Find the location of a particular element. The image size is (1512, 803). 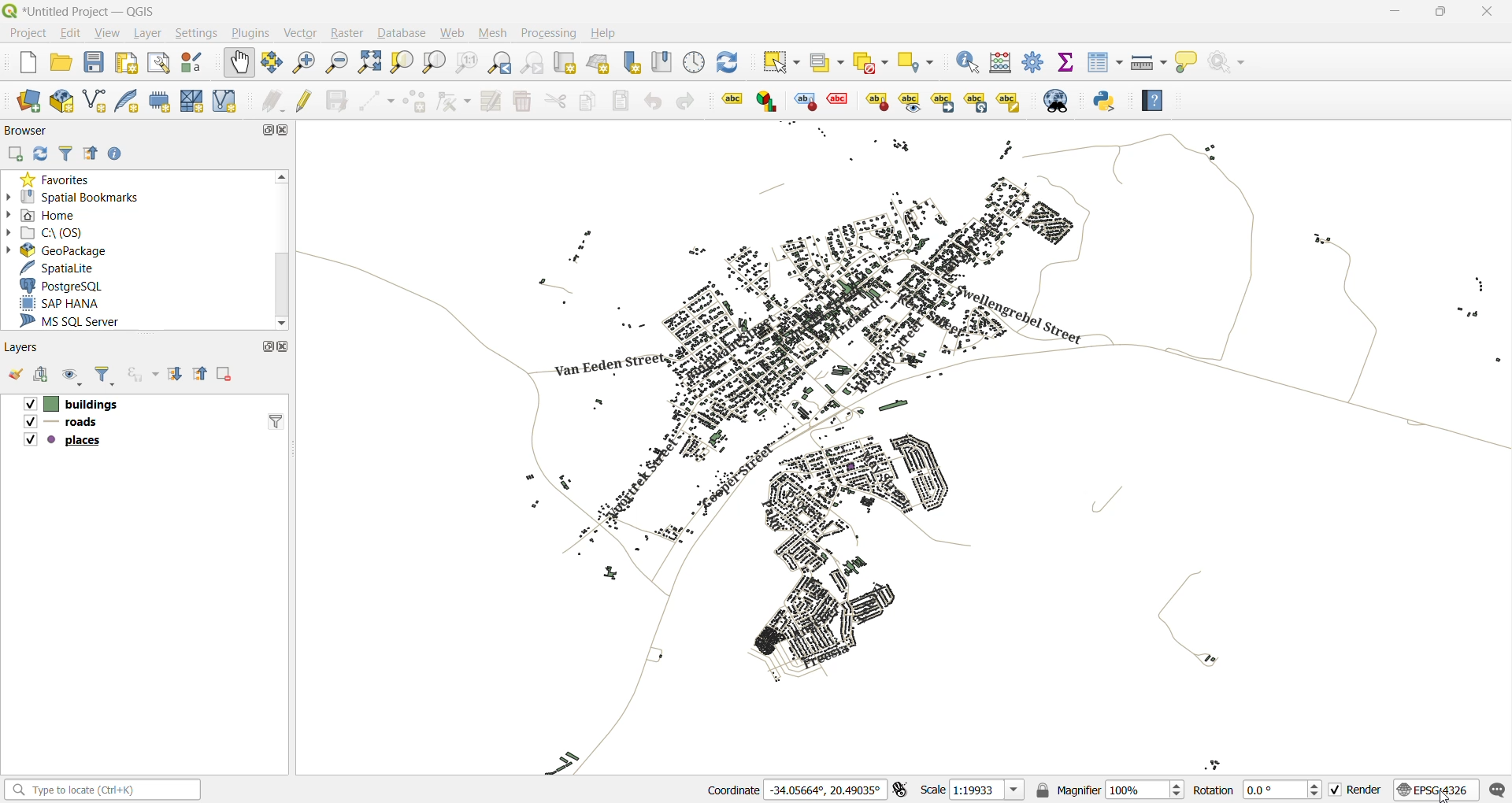

new geopackage is located at coordinates (61, 99).